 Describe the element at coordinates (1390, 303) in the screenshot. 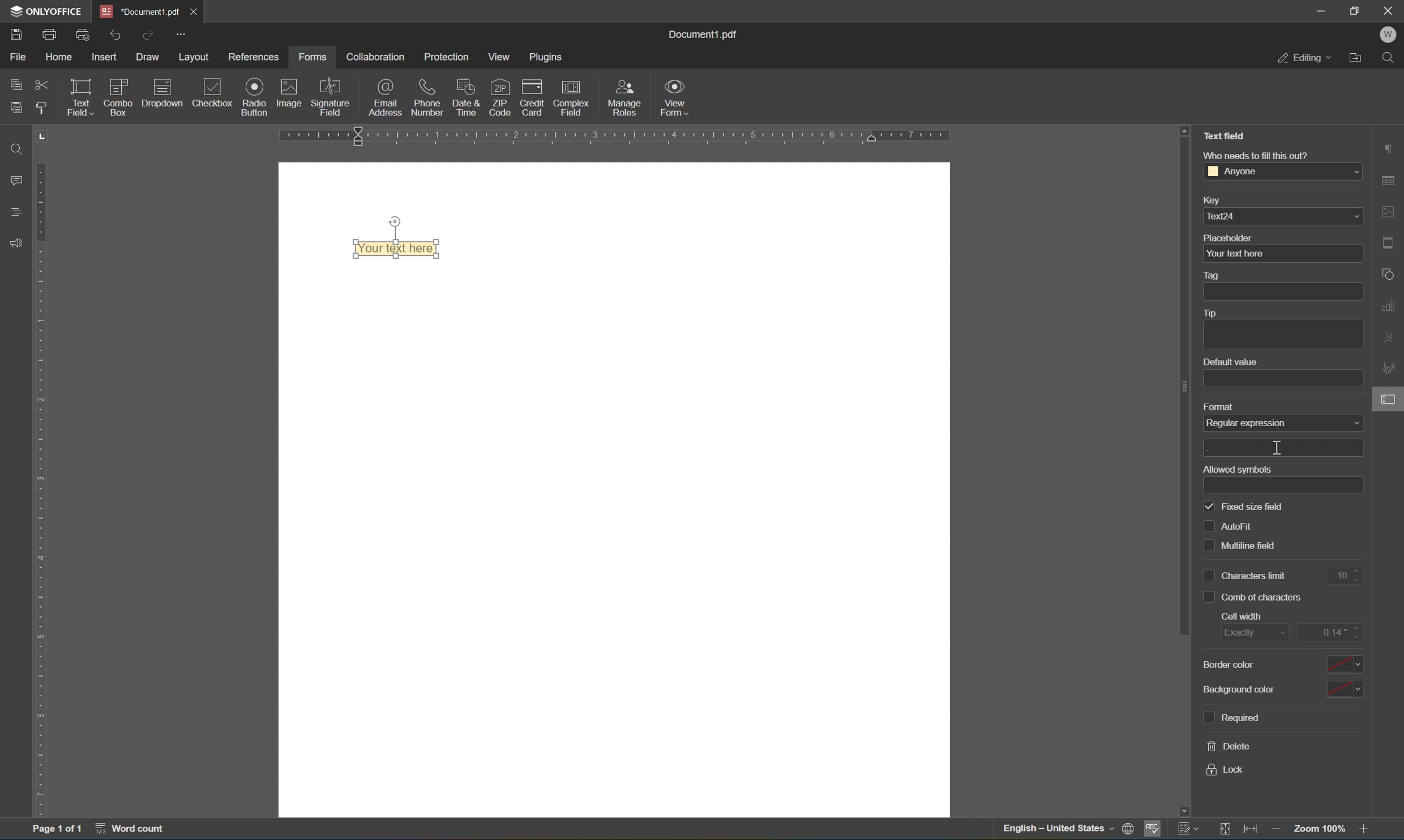

I see `chart settings` at that location.